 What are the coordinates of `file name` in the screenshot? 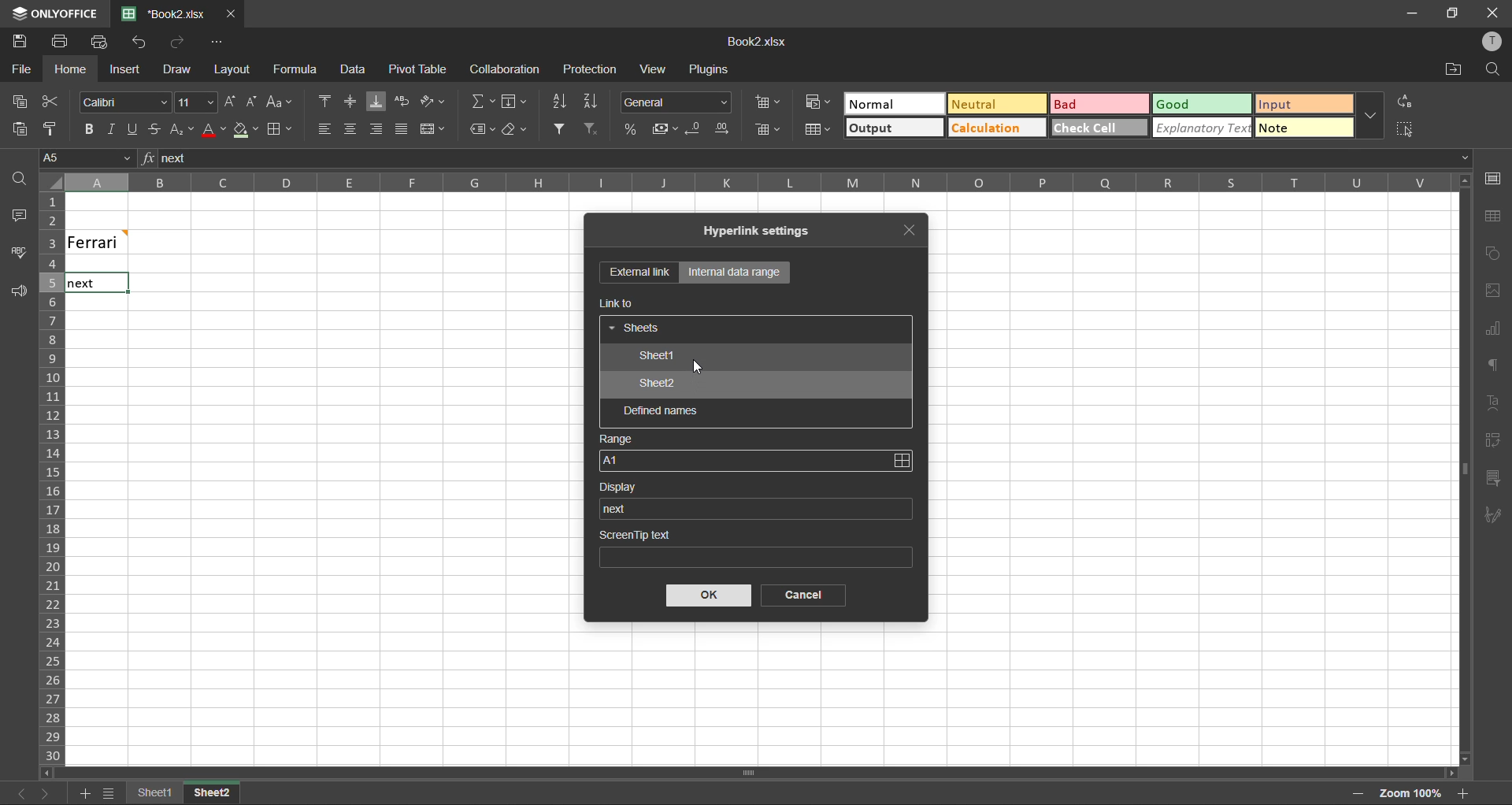 It's located at (170, 14).